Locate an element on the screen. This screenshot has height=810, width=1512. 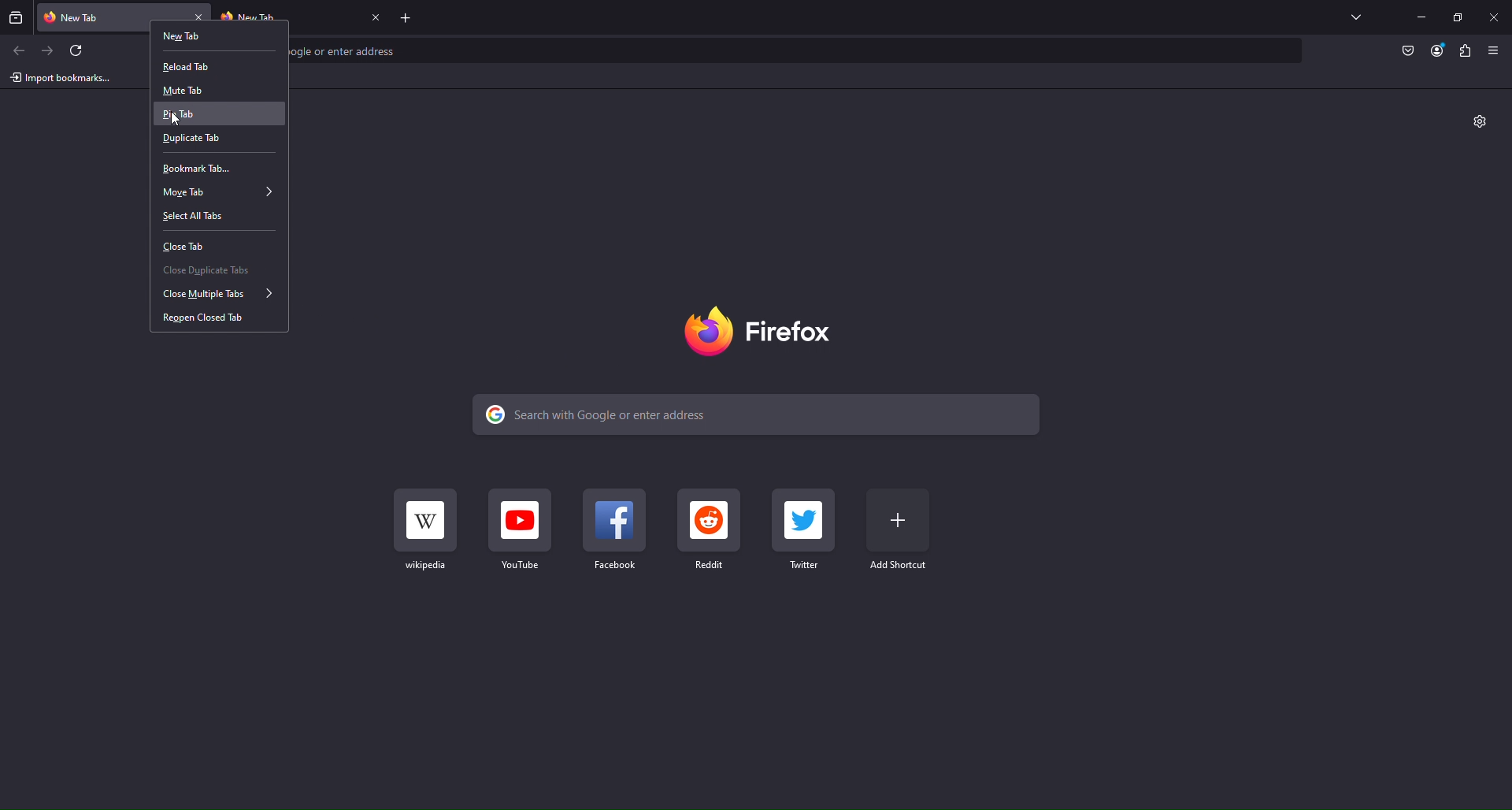
Merge Tab is located at coordinates (217, 192).